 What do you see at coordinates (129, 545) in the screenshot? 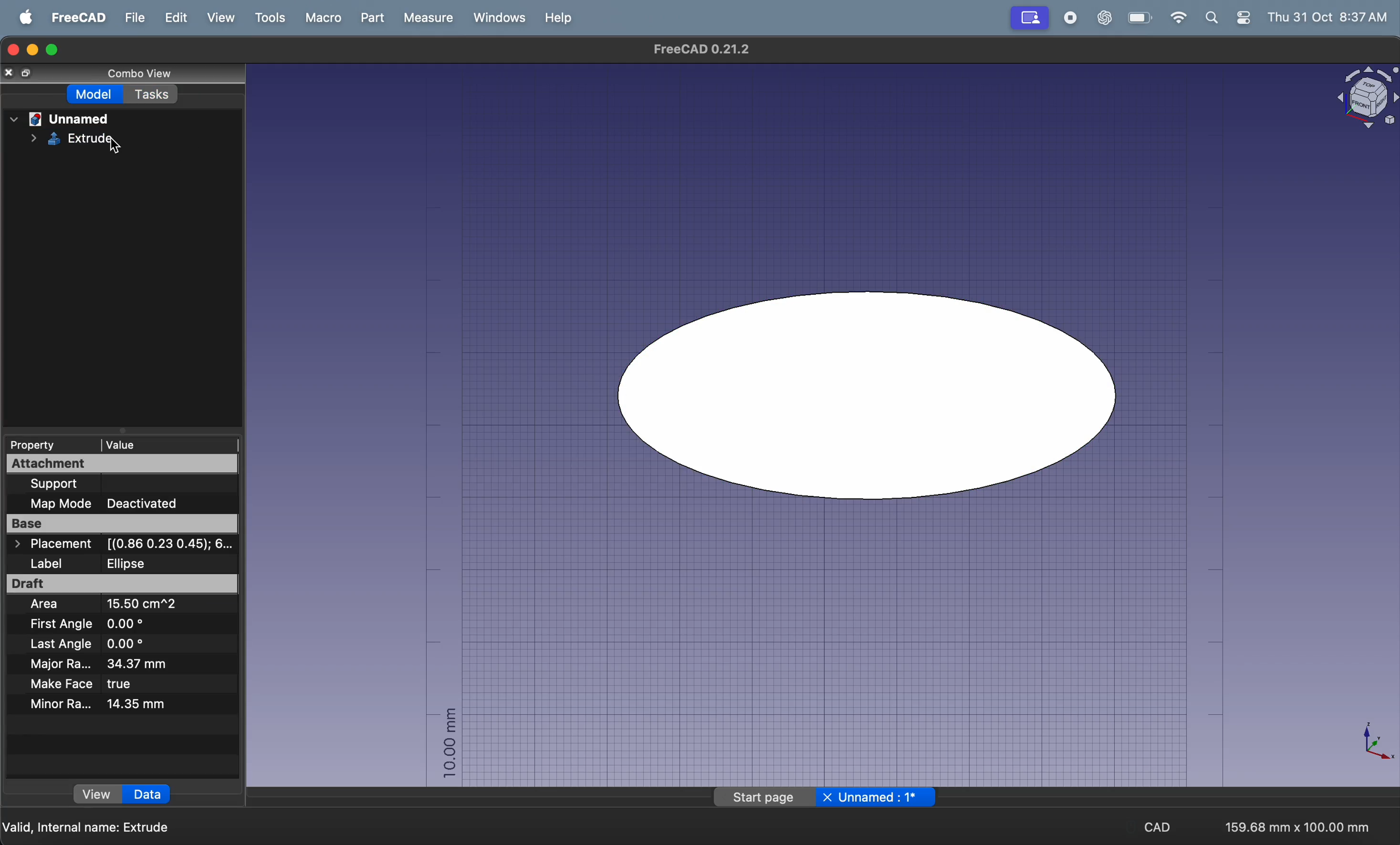
I see `placement` at bounding box center [129, 545].